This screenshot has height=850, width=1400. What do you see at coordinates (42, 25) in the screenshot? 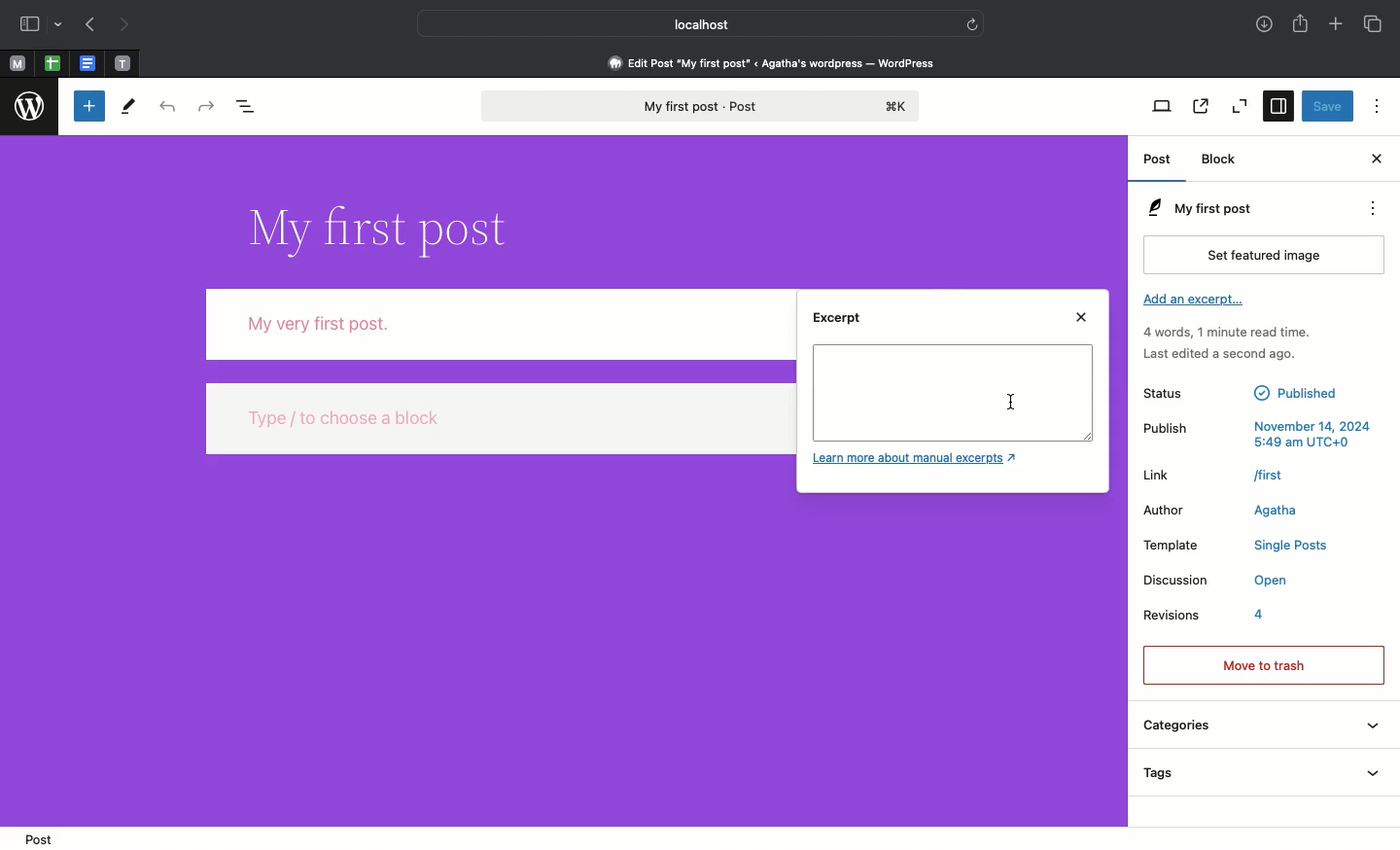
I see `Sidebar` at bounding box center [42, 25].